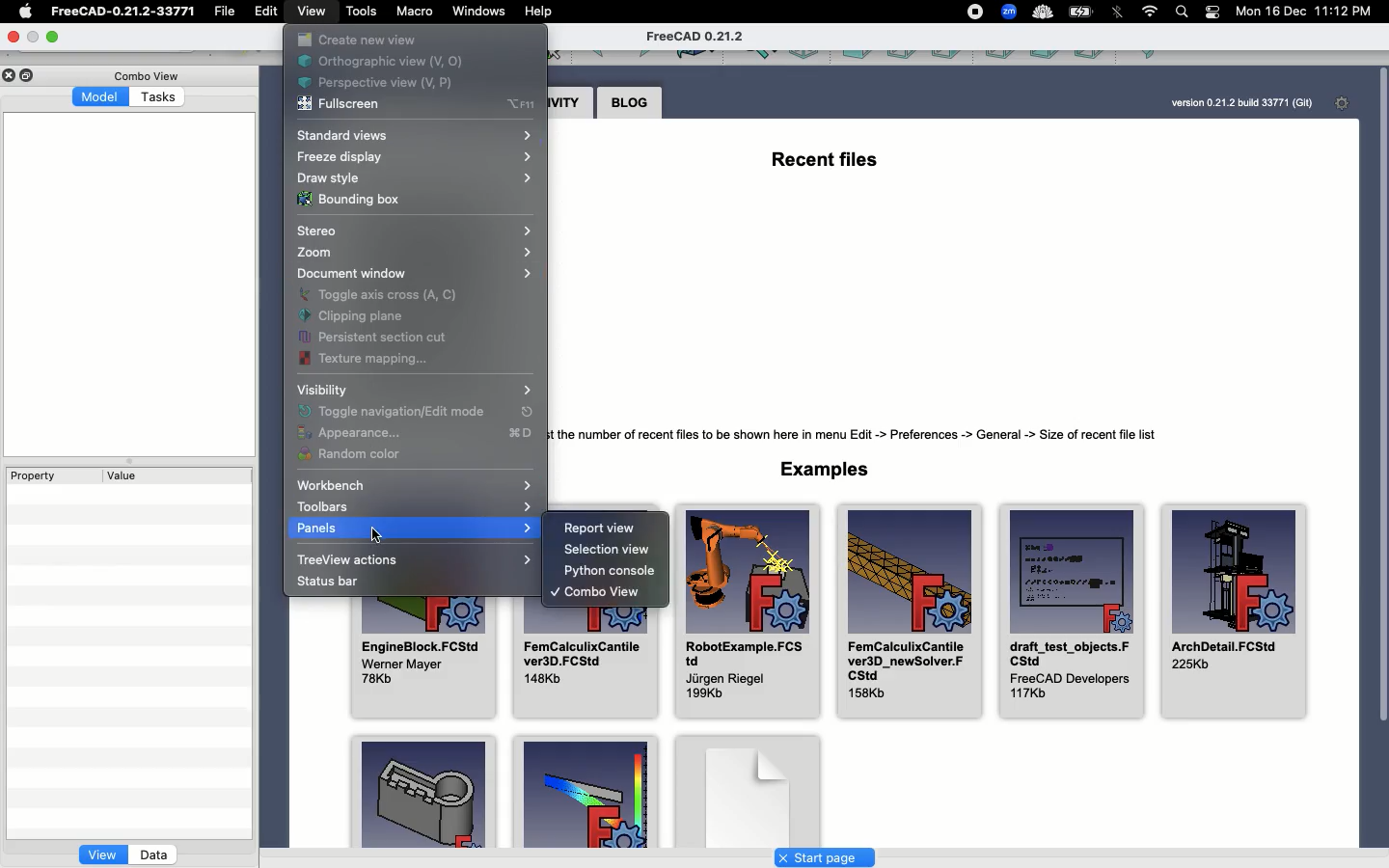  What do you see at coordinates (355, 315) in the screenshot?
I see `Clipping plane` at bounding box center [355, 315].